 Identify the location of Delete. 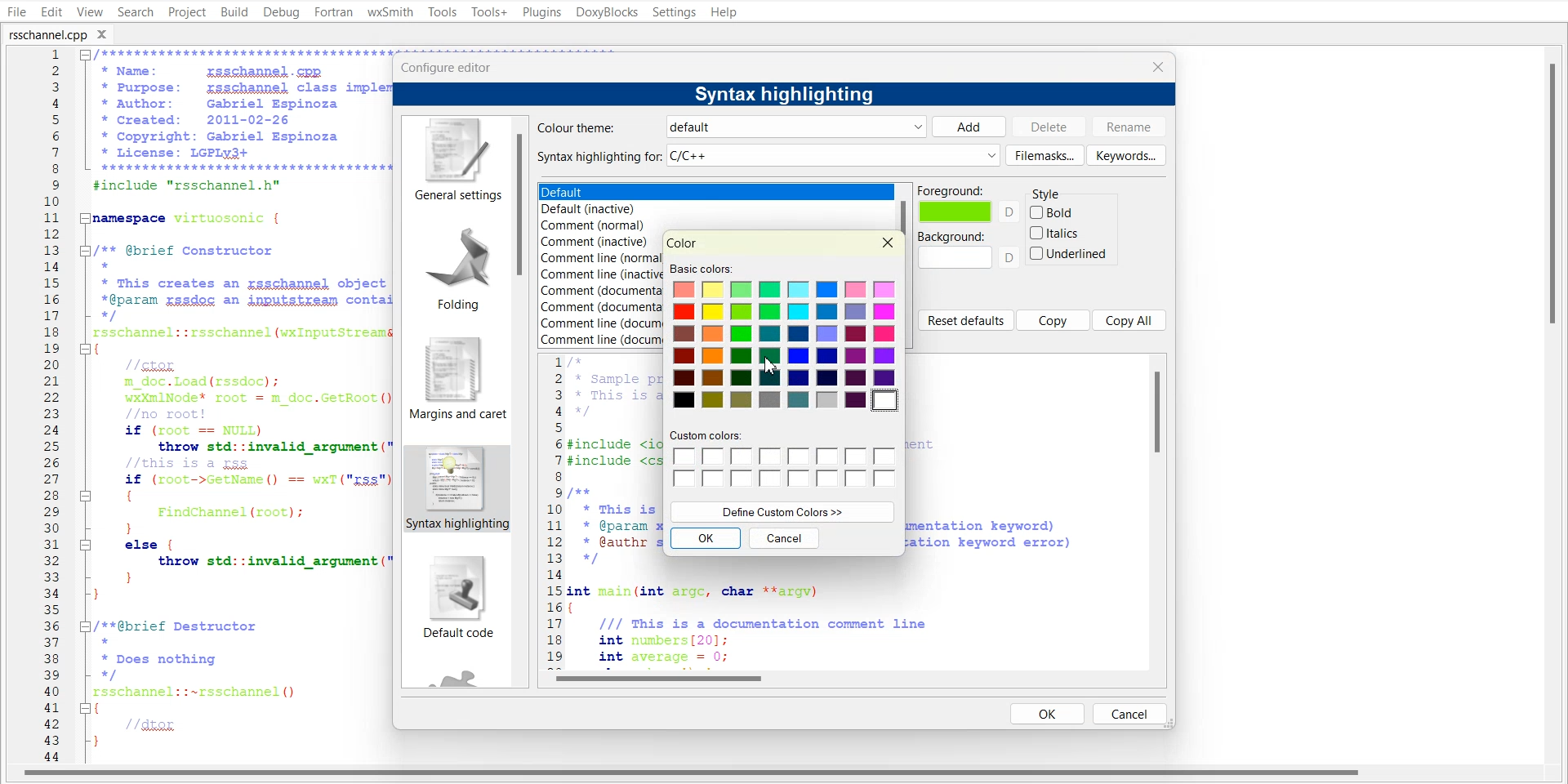
(1049, 126).